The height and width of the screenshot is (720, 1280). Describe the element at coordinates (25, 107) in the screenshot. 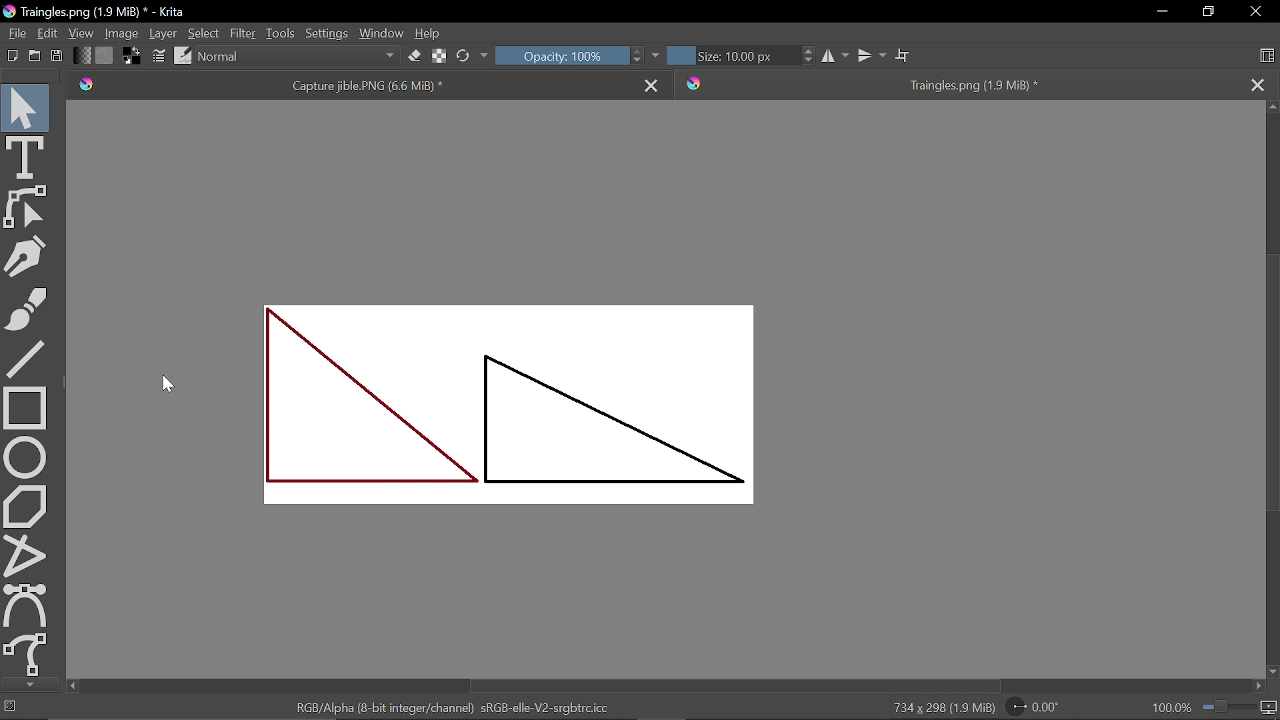

I see `Move tool` at that location.